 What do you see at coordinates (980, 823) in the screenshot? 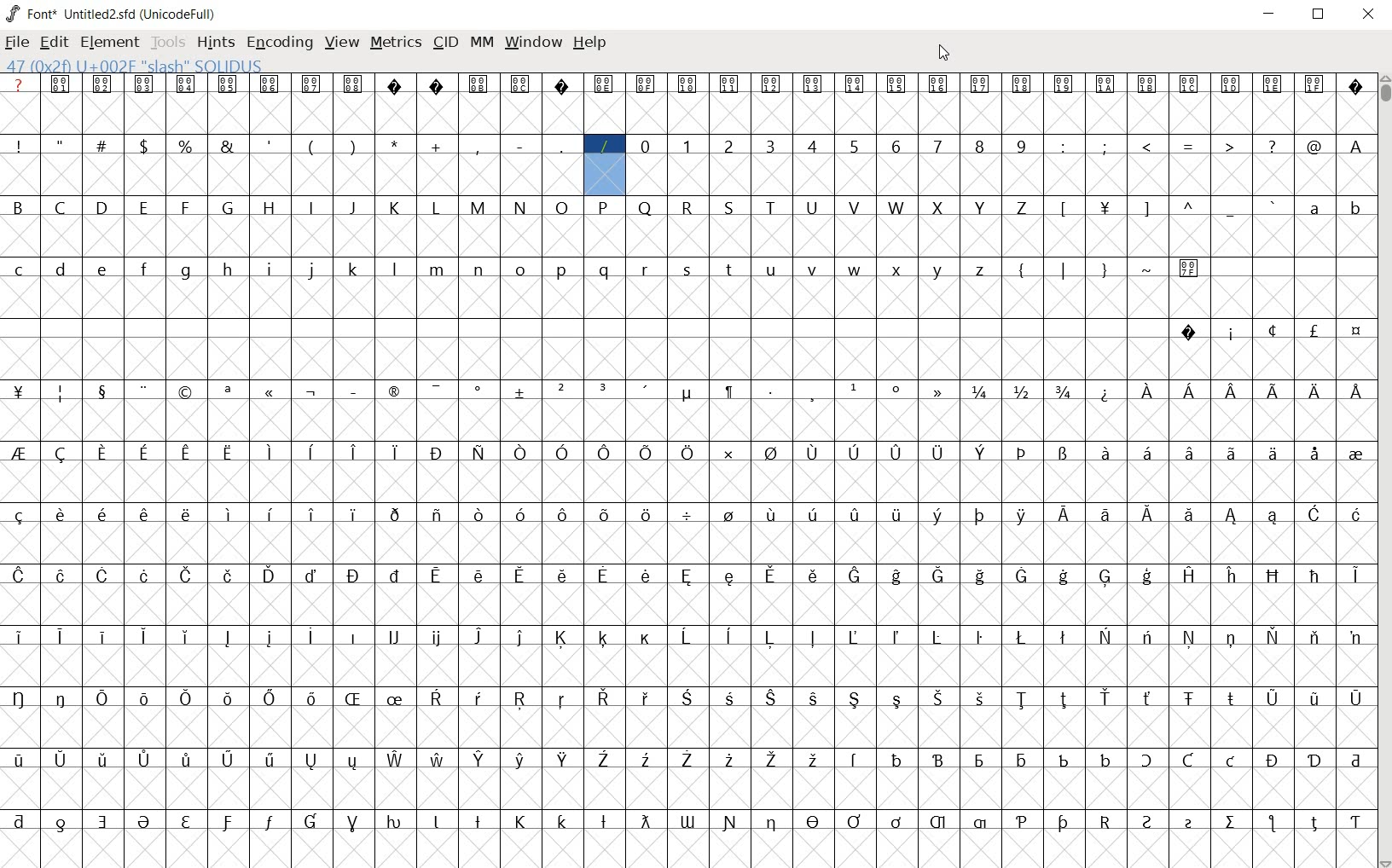
I see `glyph` at bounding box center [980, 823].